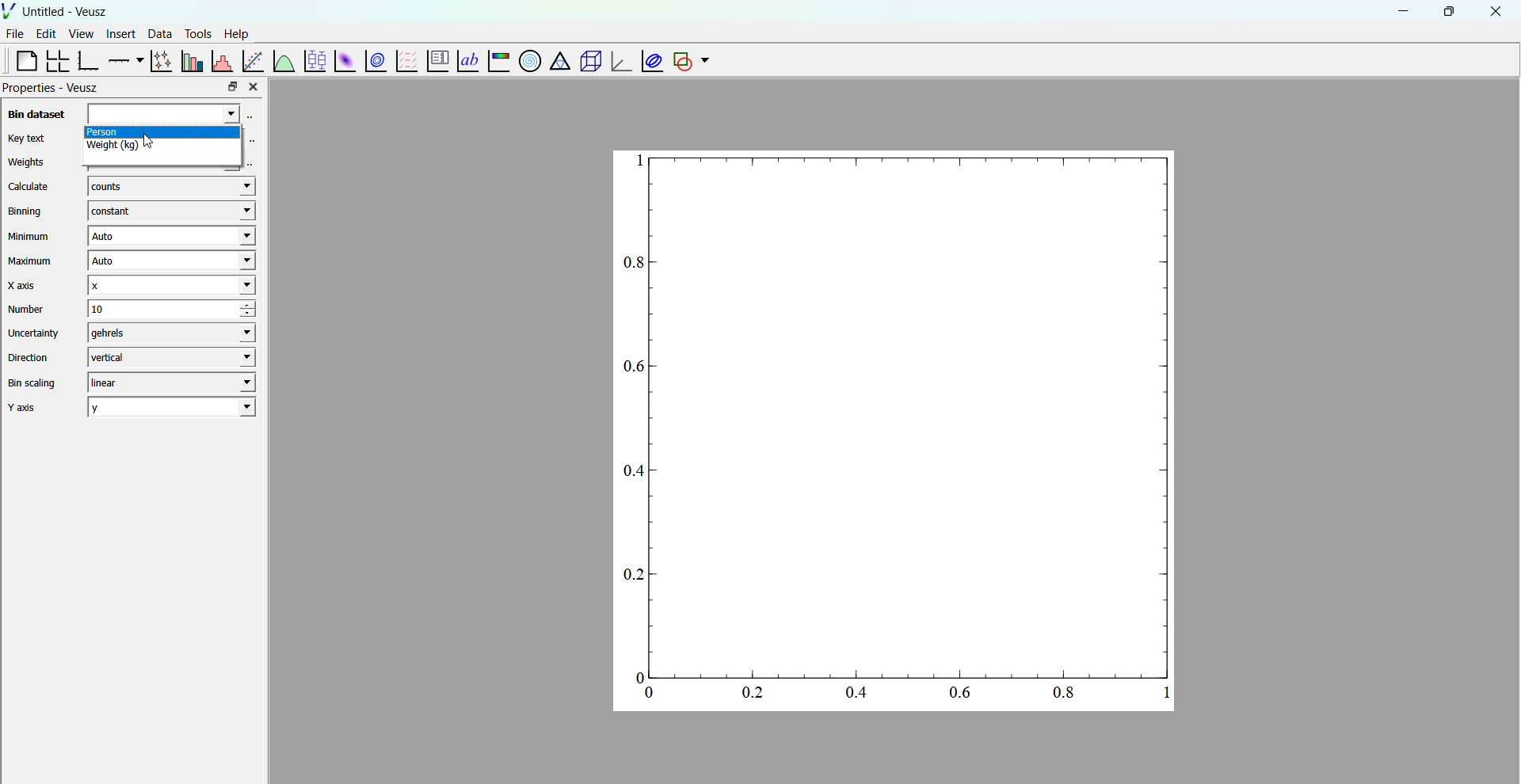 The height and width of the screenshot is (784, 1521). What do you see at coordinates (52, 88) in the screenshot?
I see `Properties - Veusz` at bounding box center [52, 88].